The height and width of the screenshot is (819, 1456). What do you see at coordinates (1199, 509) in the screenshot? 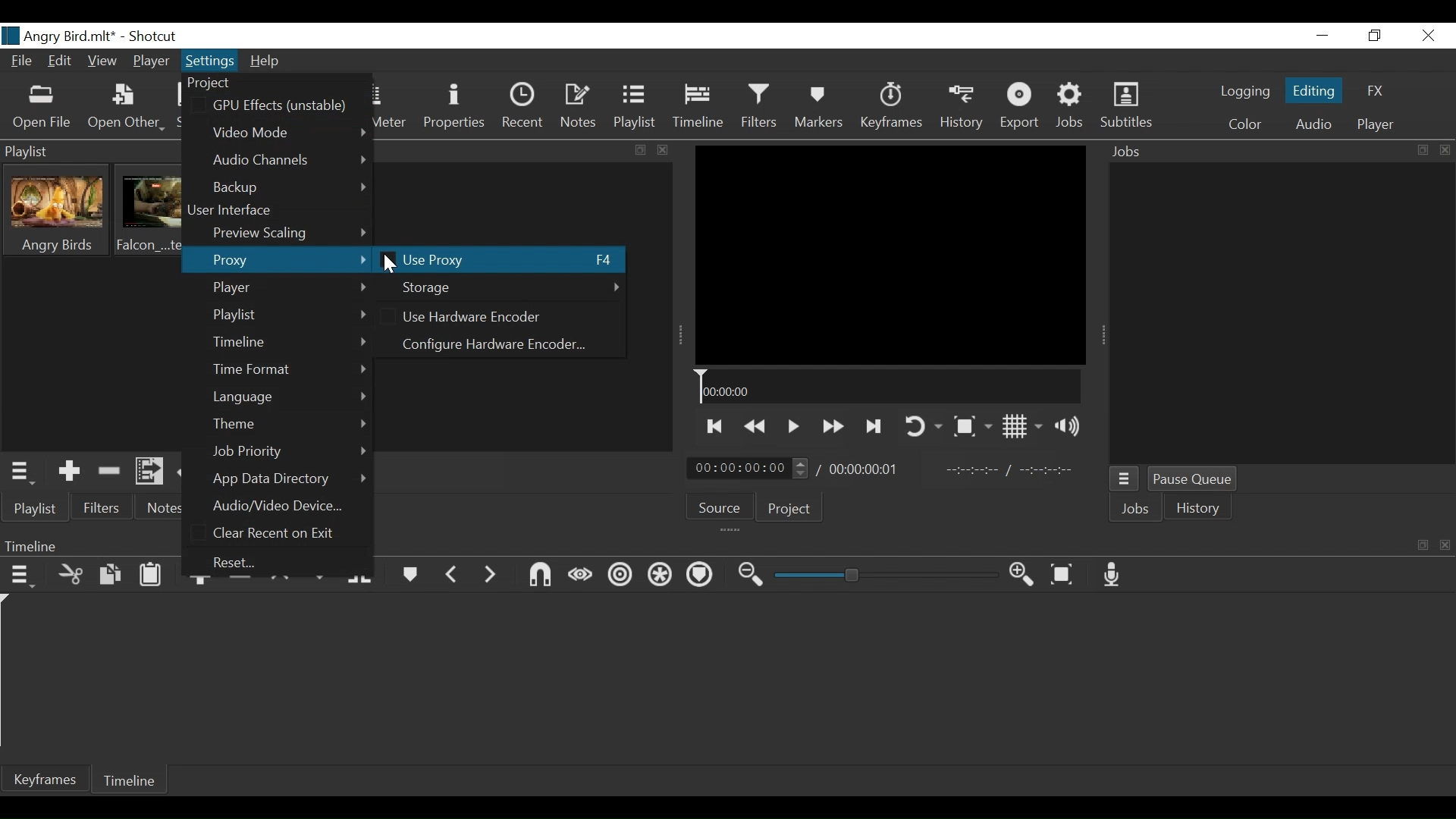
I see `History` at bounding box center [1199, 509].